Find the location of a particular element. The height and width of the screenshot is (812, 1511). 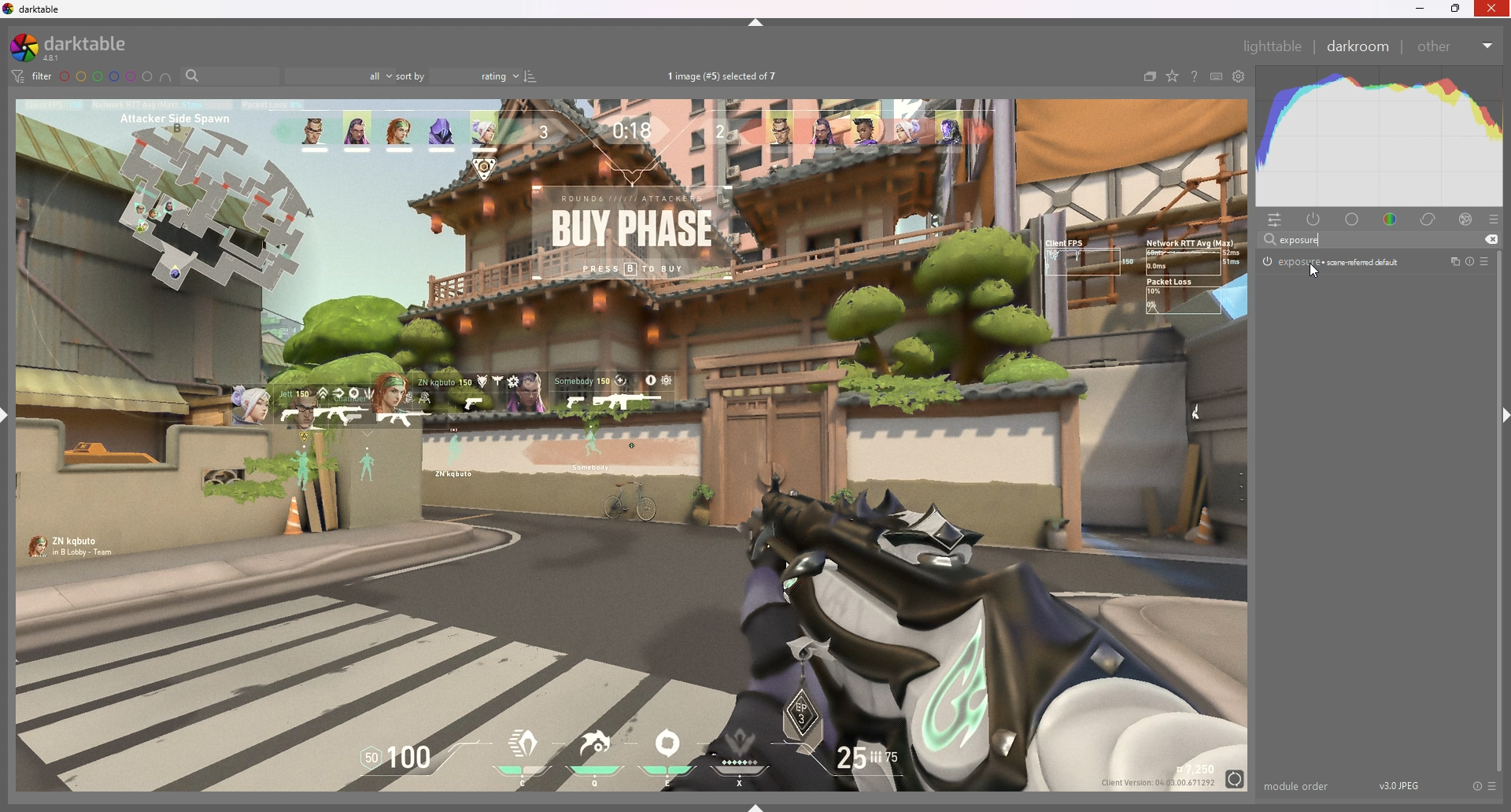

module order is located at coordinates (1298, 786).